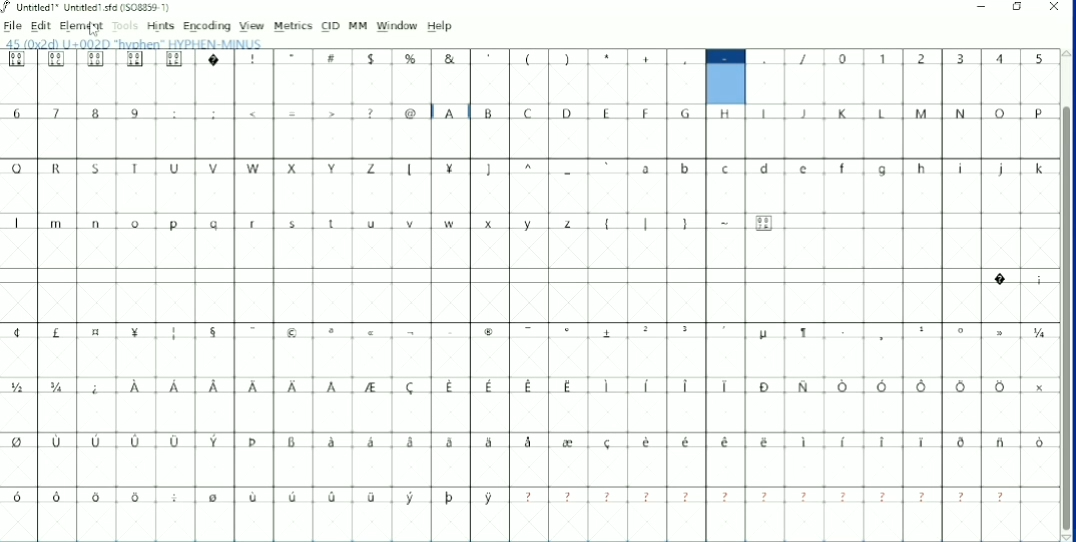  What do you see at coordinates (160, 26) in the screenshot?
I see `Hints` at bounding box center [160, 26].